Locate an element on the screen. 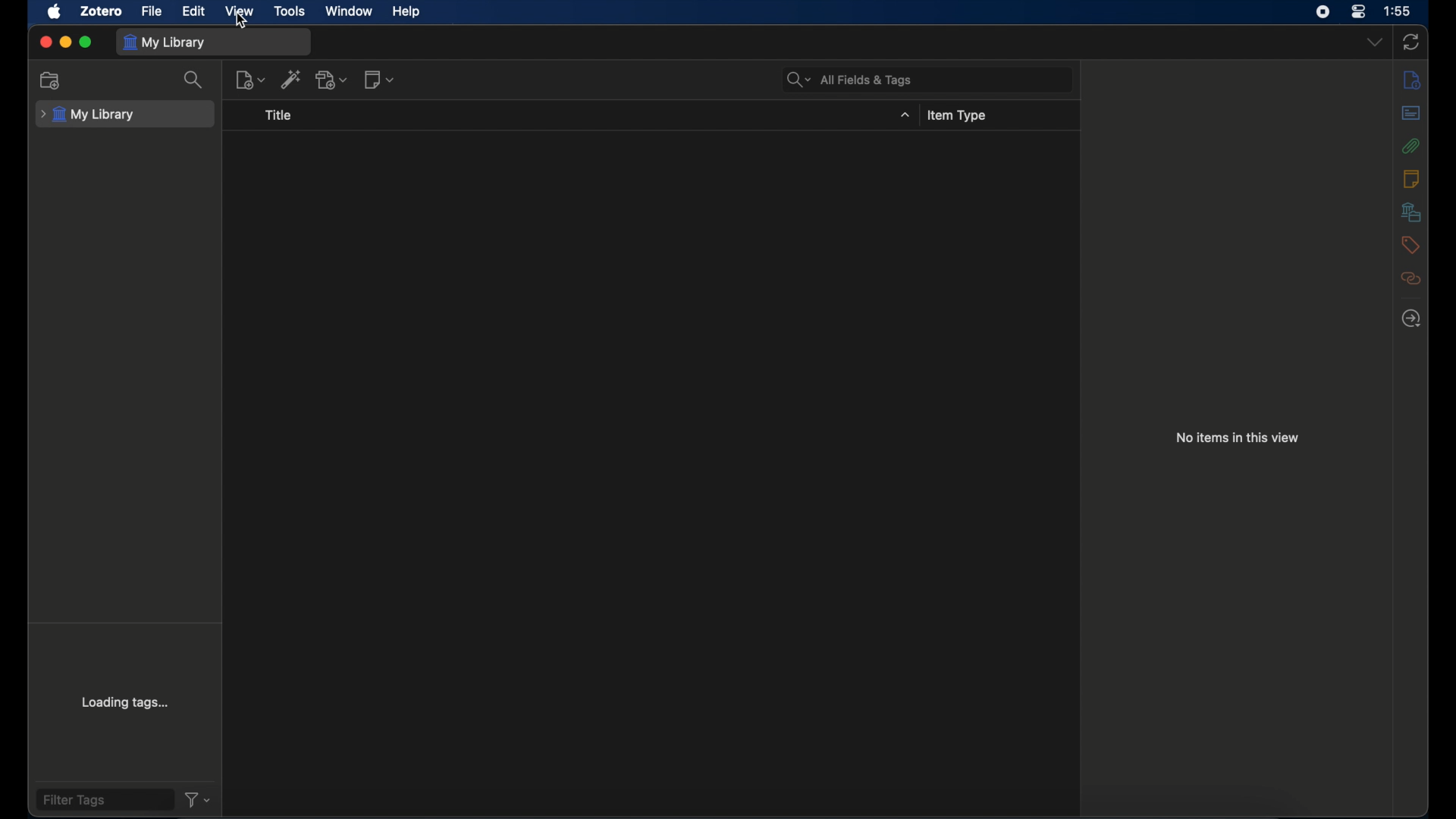  file is located at coordinates (152, 11).